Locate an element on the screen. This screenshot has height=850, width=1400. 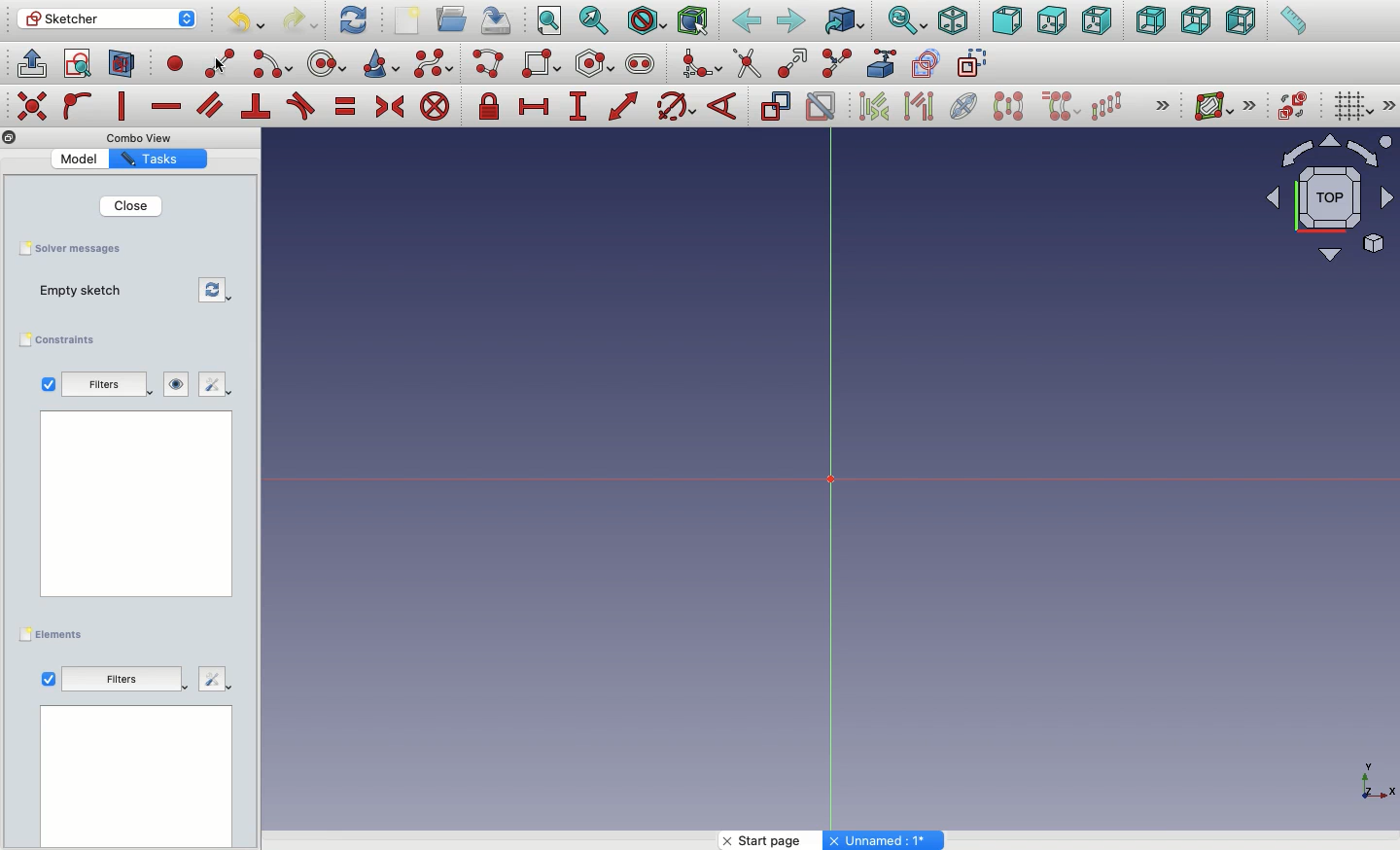
Constrain horizontal distance is located at coordinates (538, 108).